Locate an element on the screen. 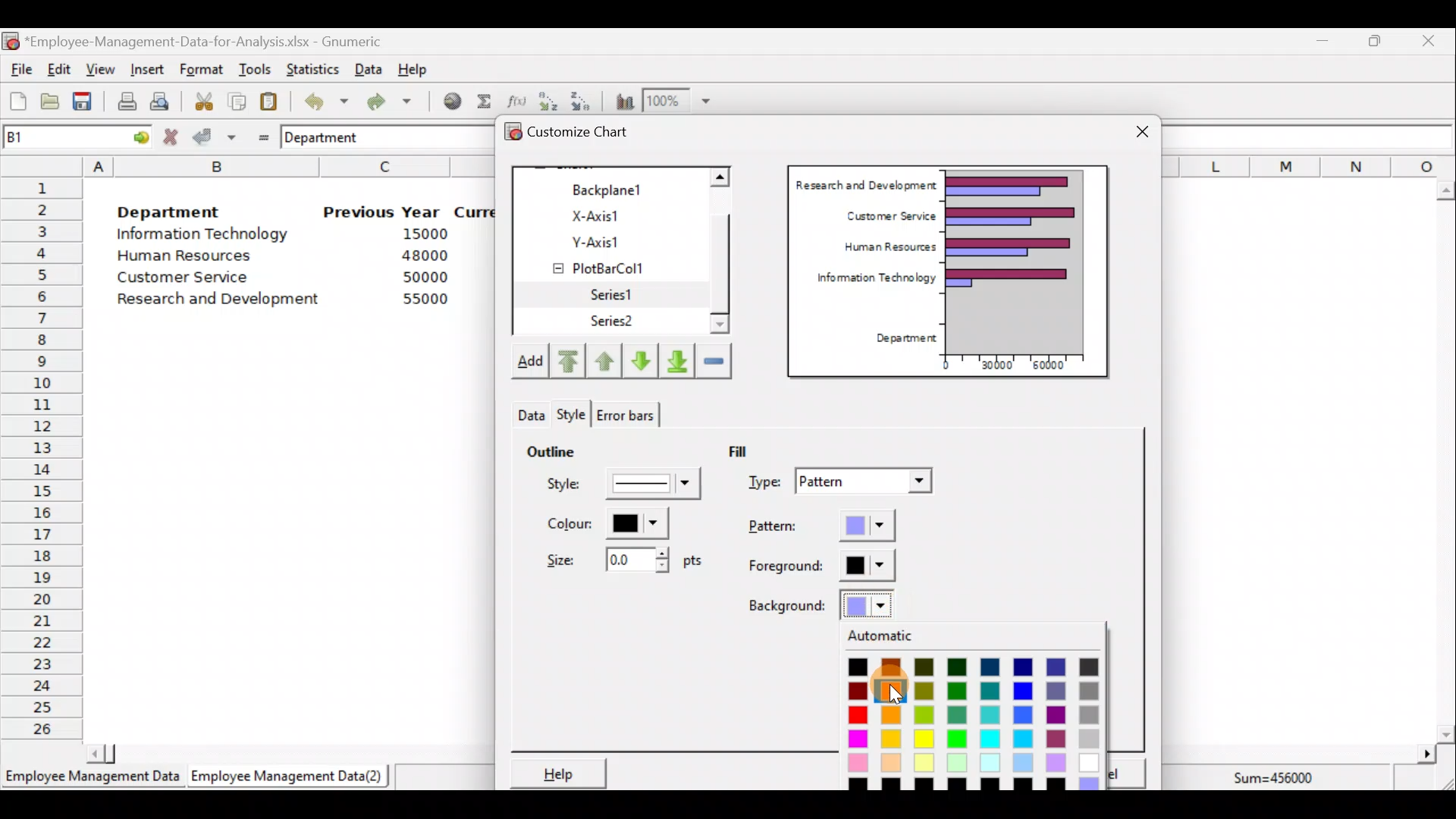  Rows is located at coordinates (42, 456).